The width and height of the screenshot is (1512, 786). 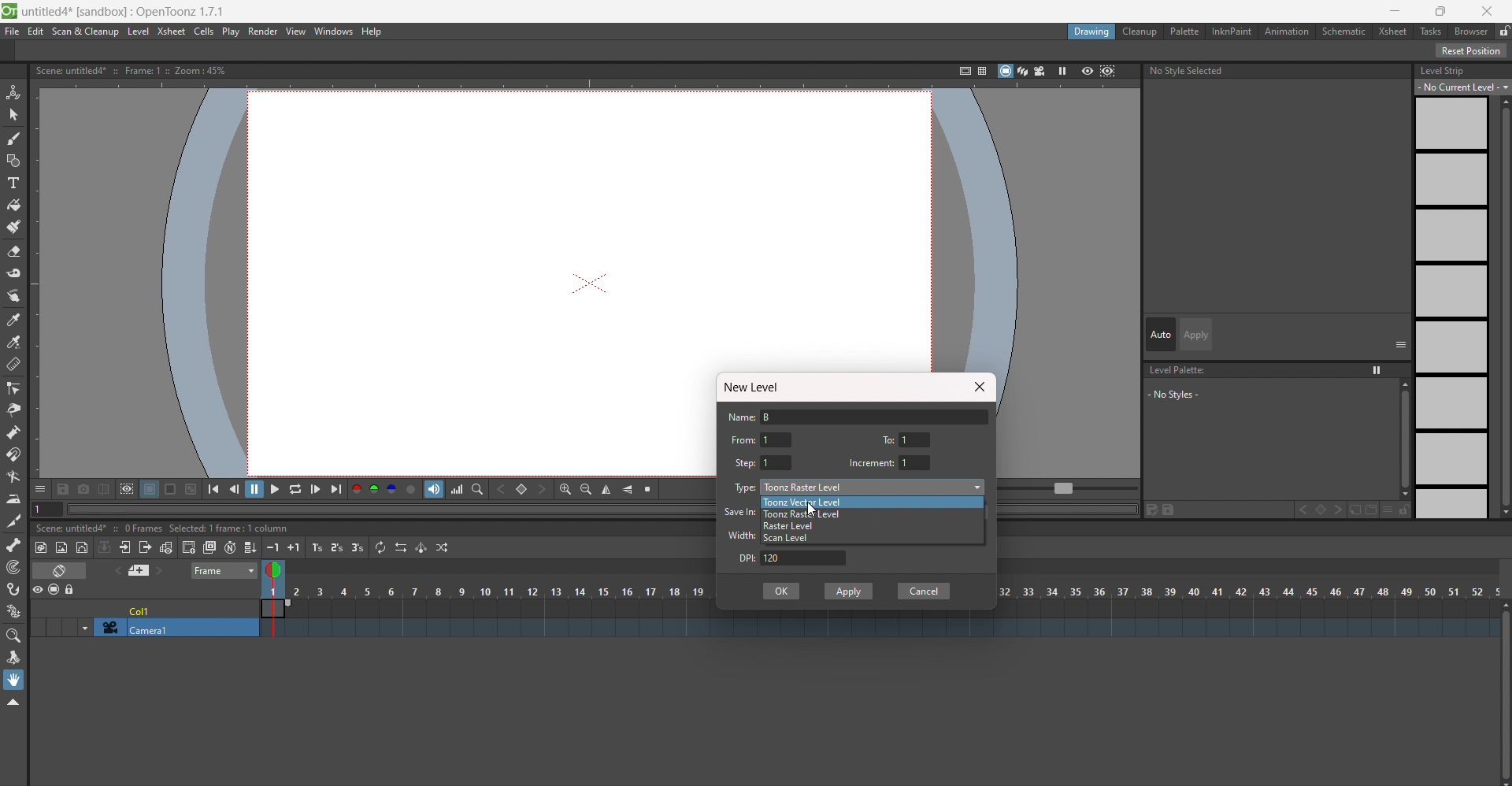 I want to click on RGB channel, so click(x=374, y=489).